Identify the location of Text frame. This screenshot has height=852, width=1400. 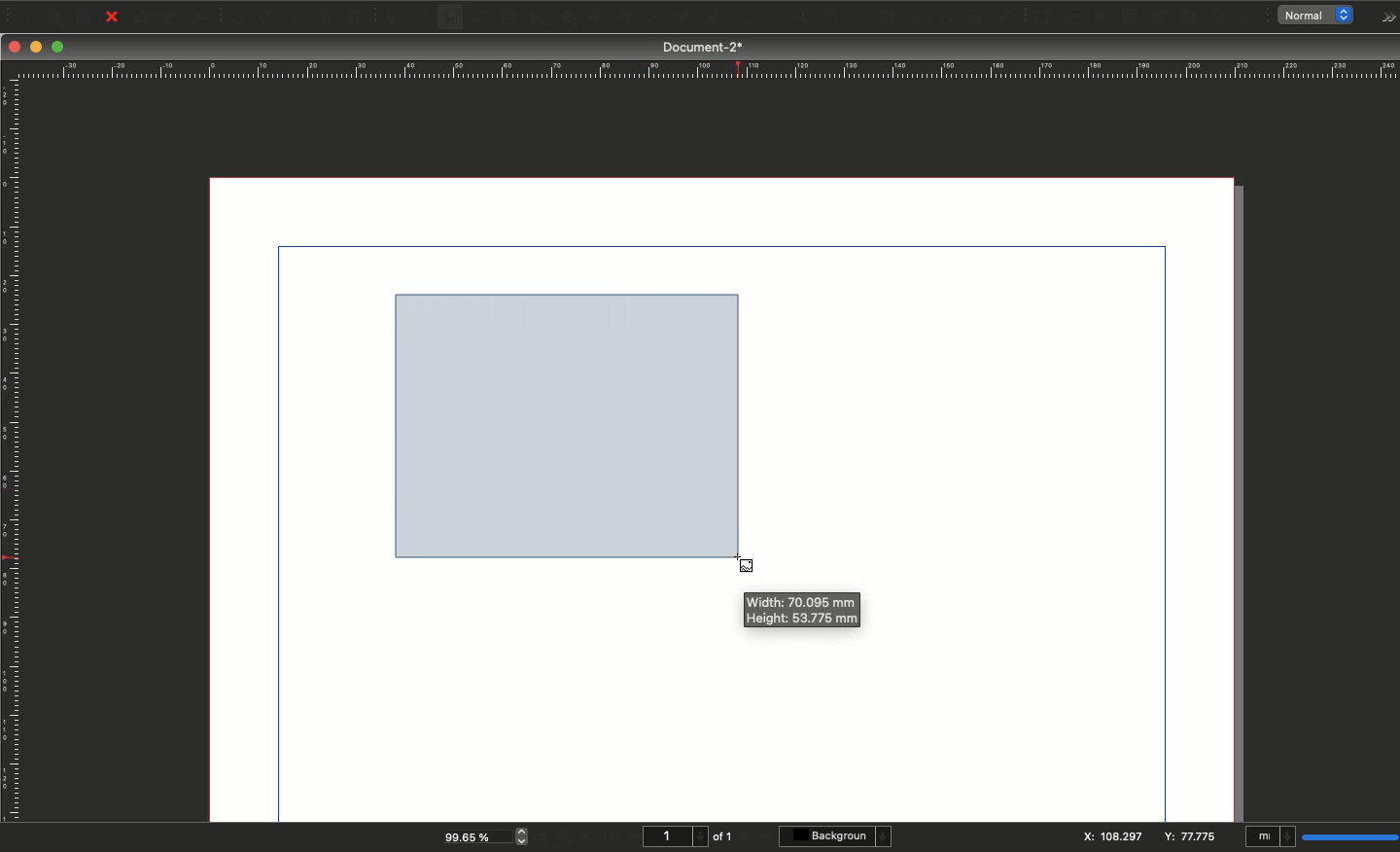
(421, 19).